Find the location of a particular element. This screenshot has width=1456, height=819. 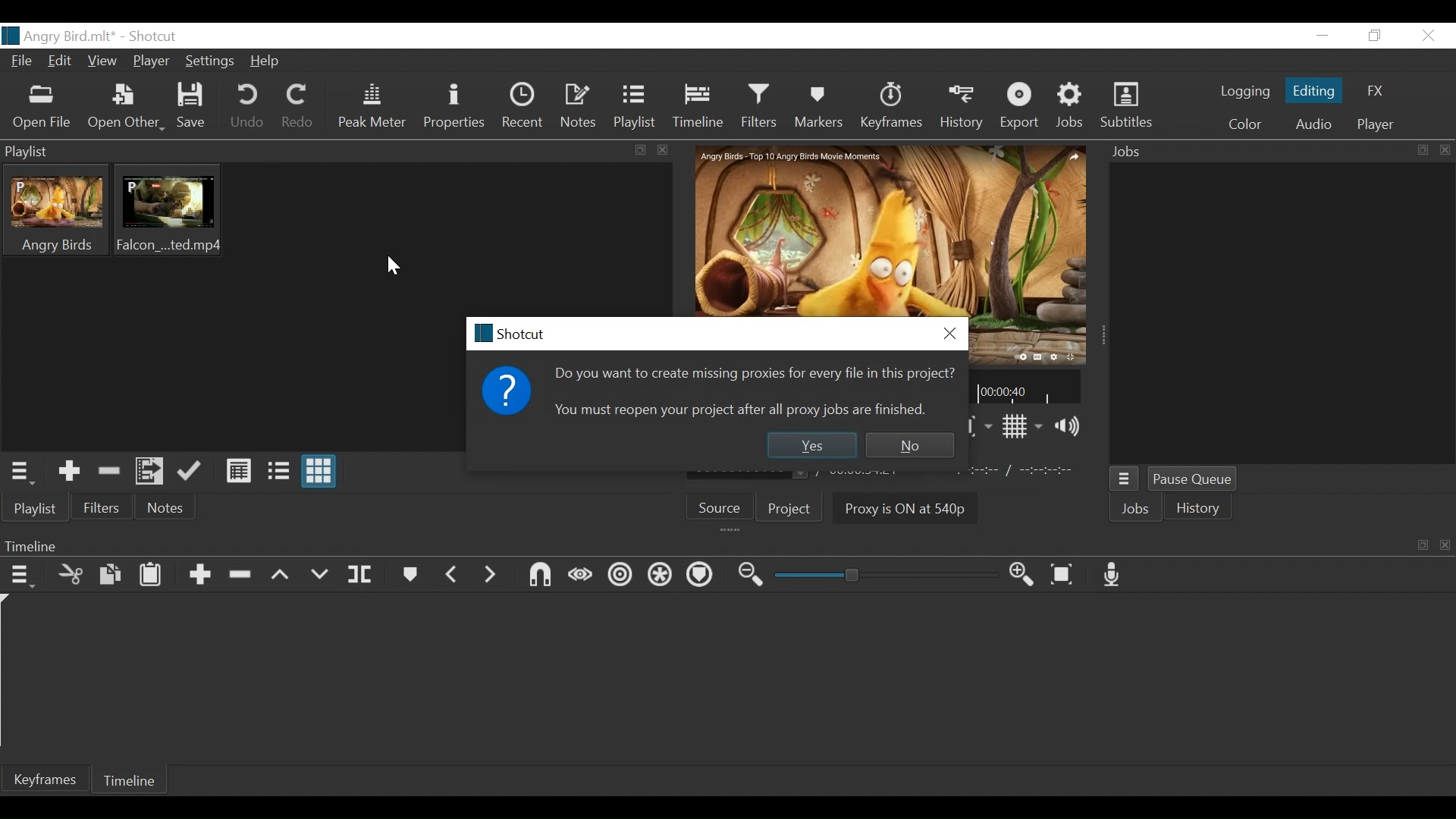

Redo is located at coordinates (298, 108).